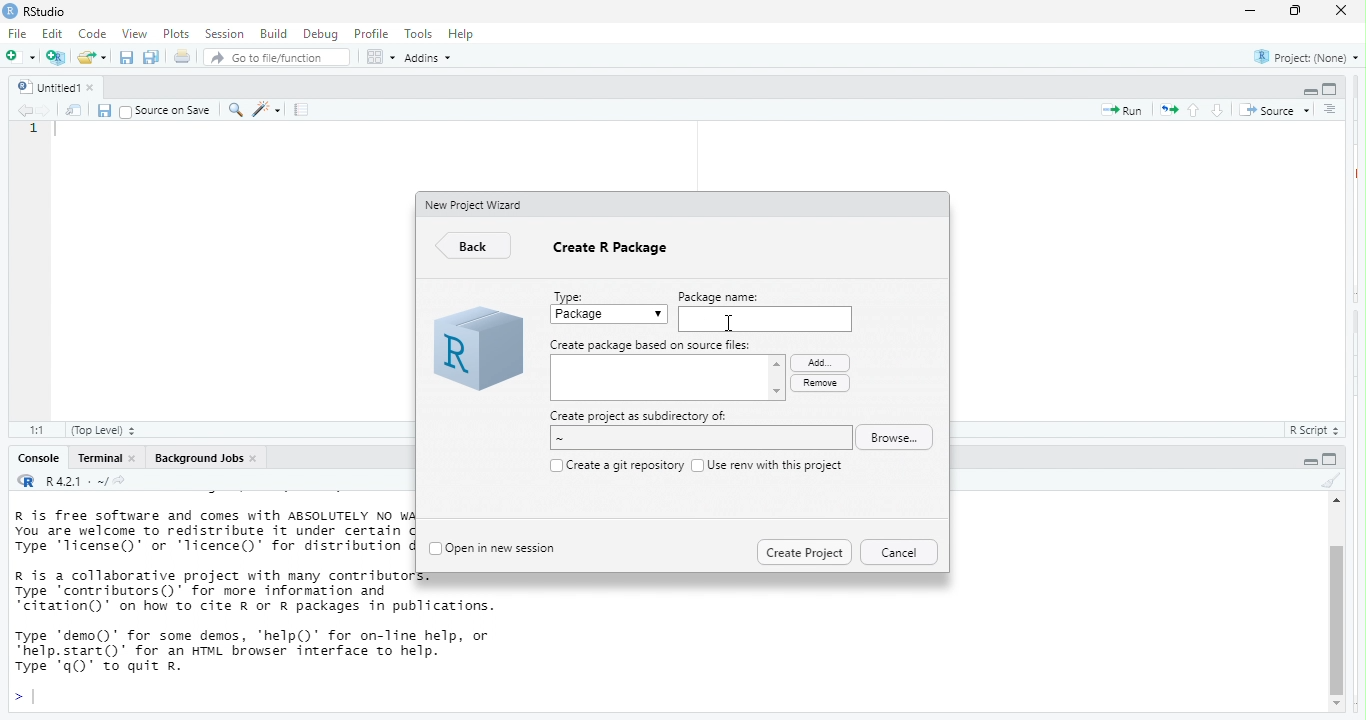 This screenshot has height=720, width=1366. I want to click on cursor movement, so click(731, 325).